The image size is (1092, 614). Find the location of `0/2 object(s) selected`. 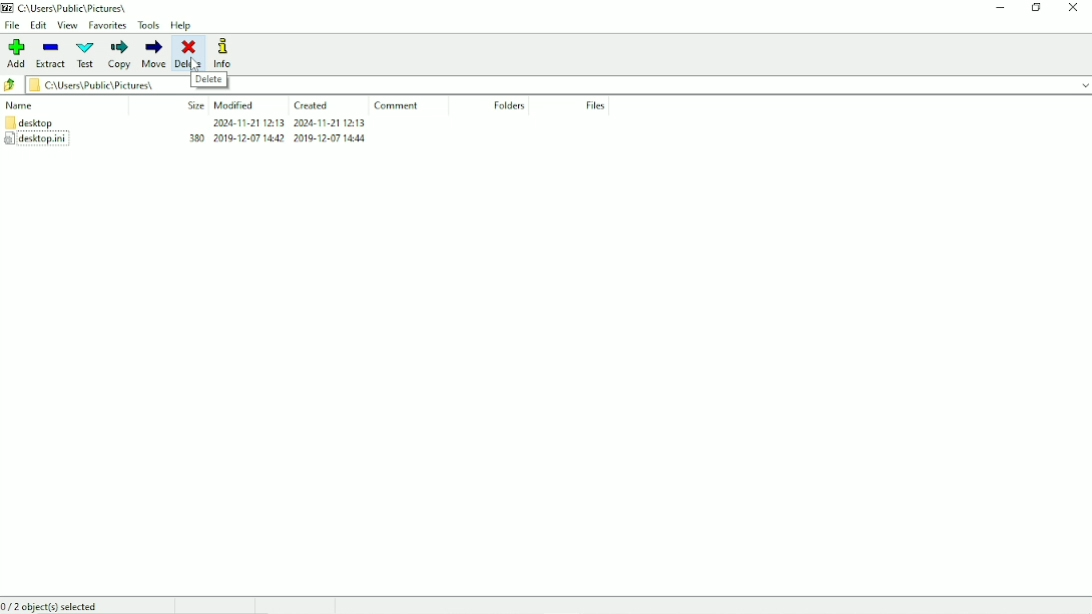

0/2 object(s) selected is located at coordinates (54, 606).